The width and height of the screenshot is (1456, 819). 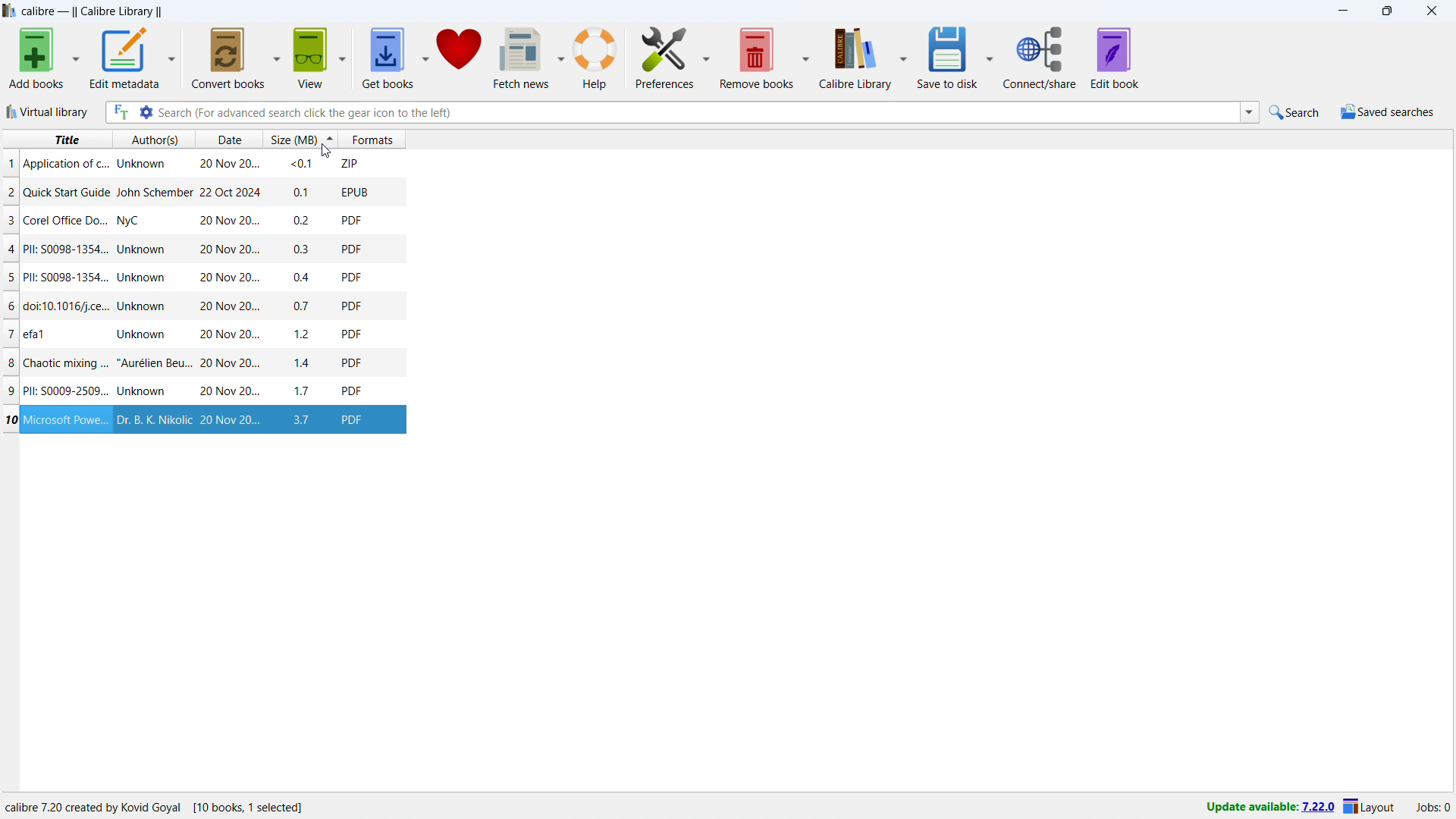 I want to click on view options, so click(x=343, y=57).